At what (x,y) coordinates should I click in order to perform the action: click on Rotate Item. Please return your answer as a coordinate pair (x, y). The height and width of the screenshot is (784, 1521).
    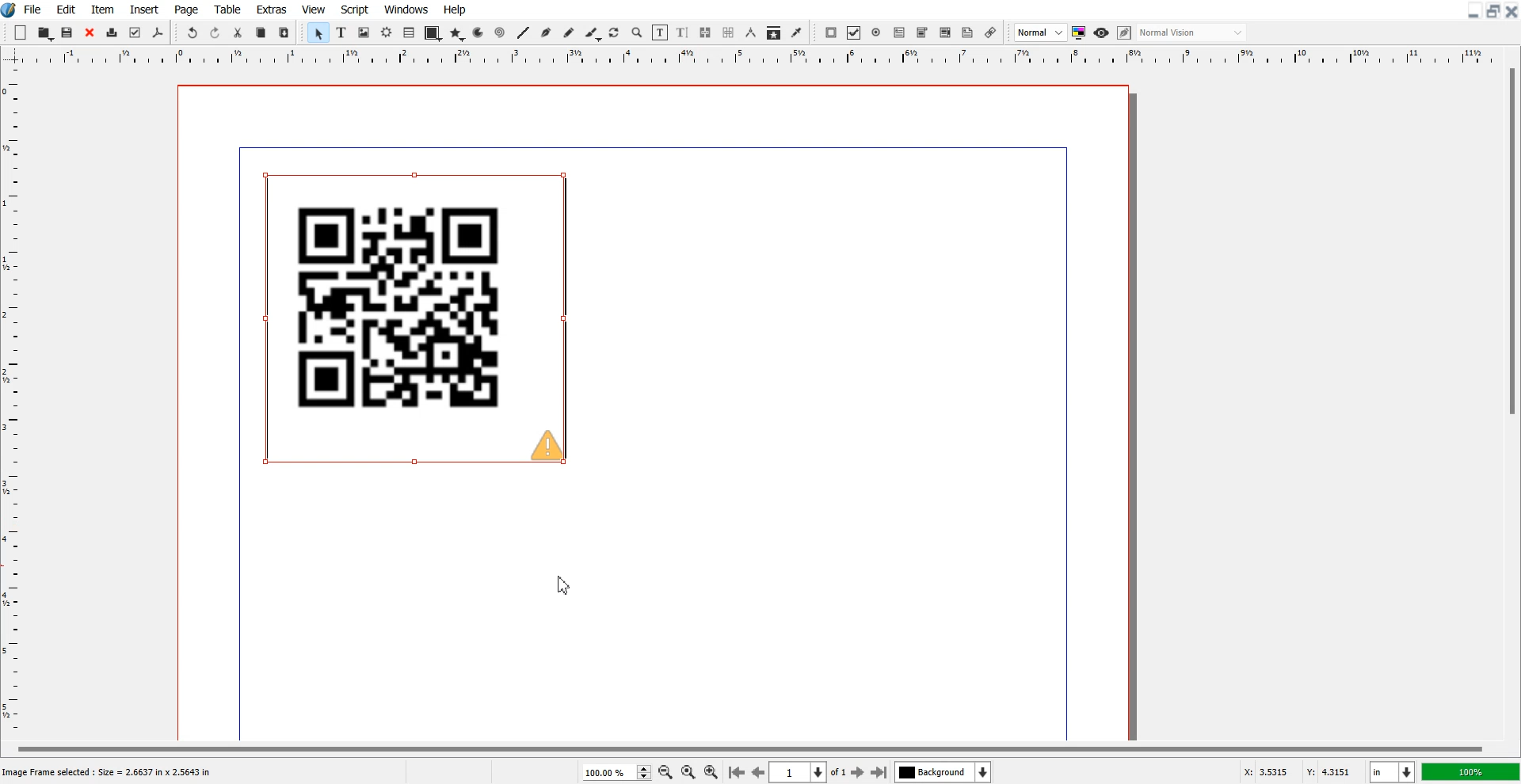
    Looking at the image, I should click on (615, 33).